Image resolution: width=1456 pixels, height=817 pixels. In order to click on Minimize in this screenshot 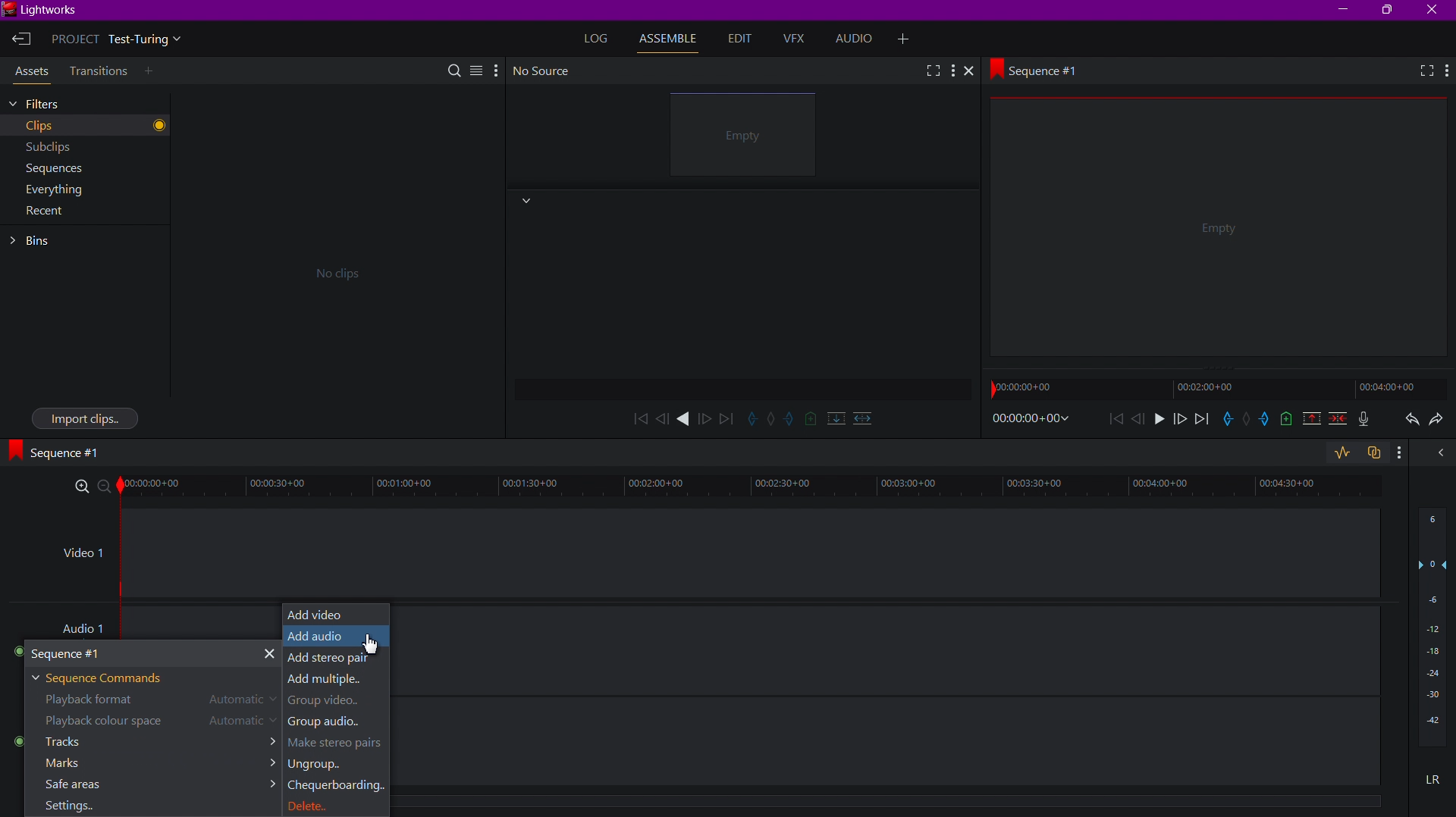, I will do `click(1345, 10)`.